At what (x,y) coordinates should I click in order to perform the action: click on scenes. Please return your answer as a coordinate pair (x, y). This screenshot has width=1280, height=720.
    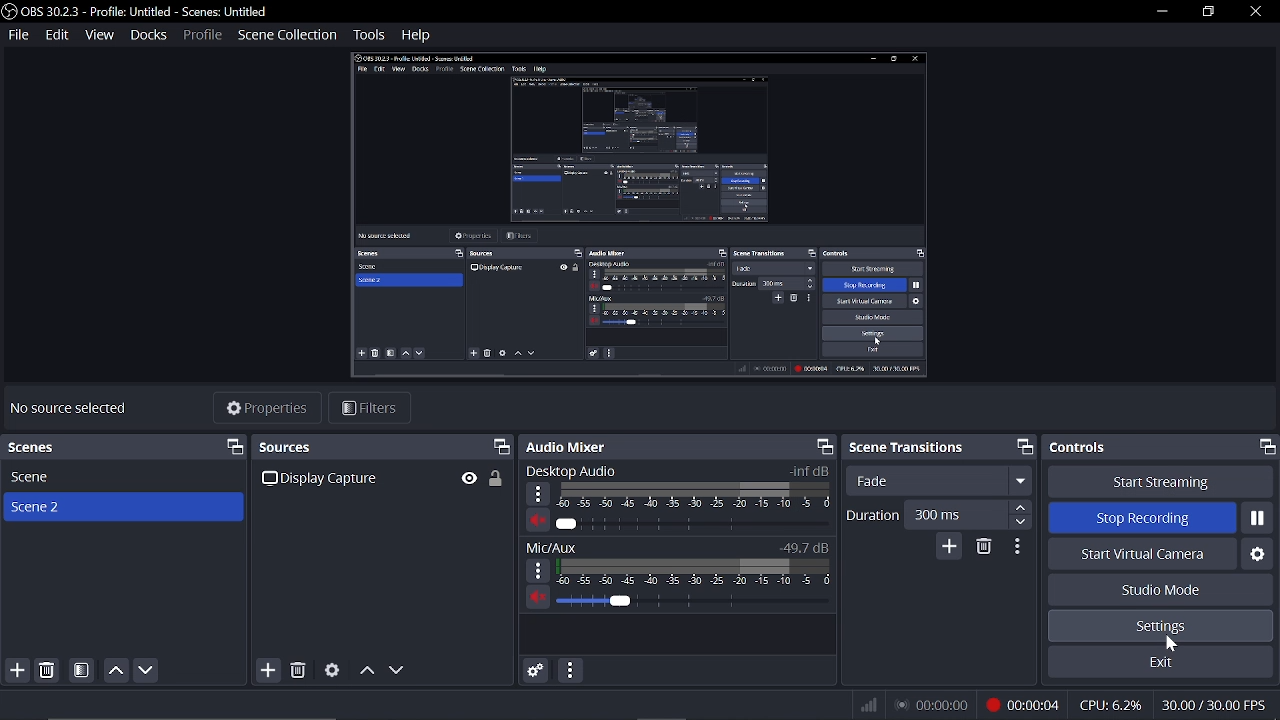
    Looking at the image, I should click on (35, 445).